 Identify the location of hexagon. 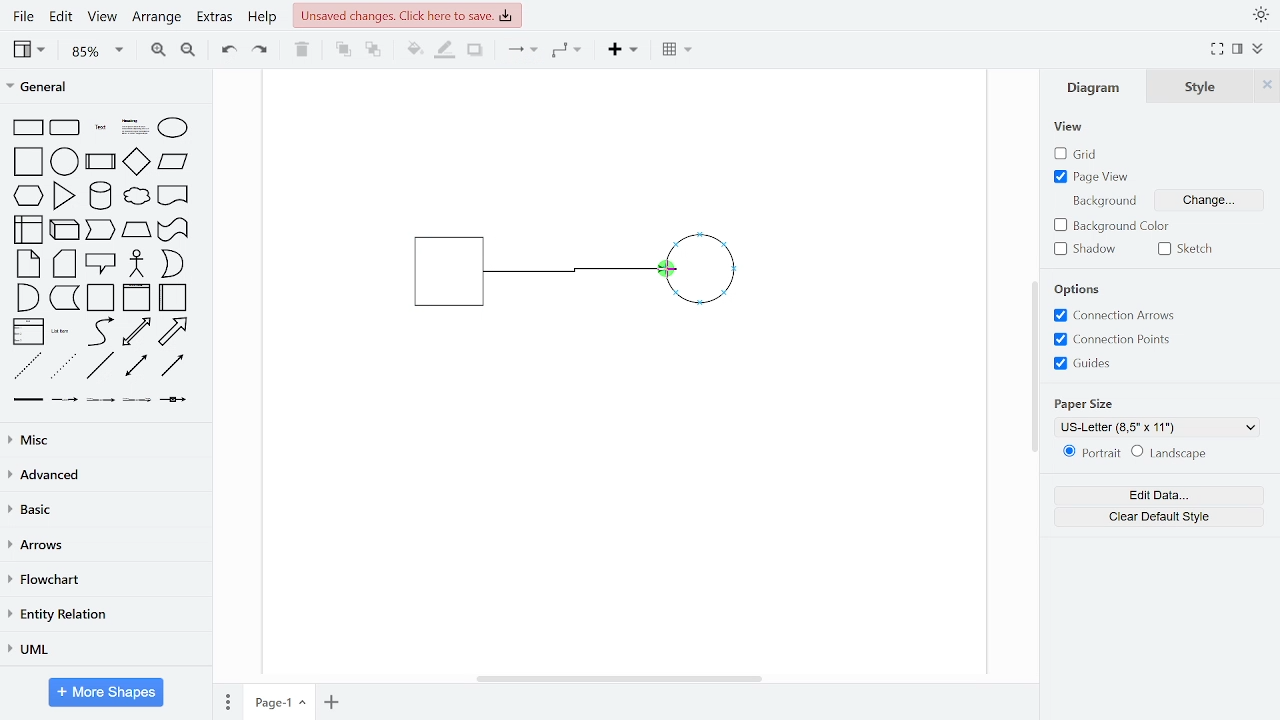
(32, 197).